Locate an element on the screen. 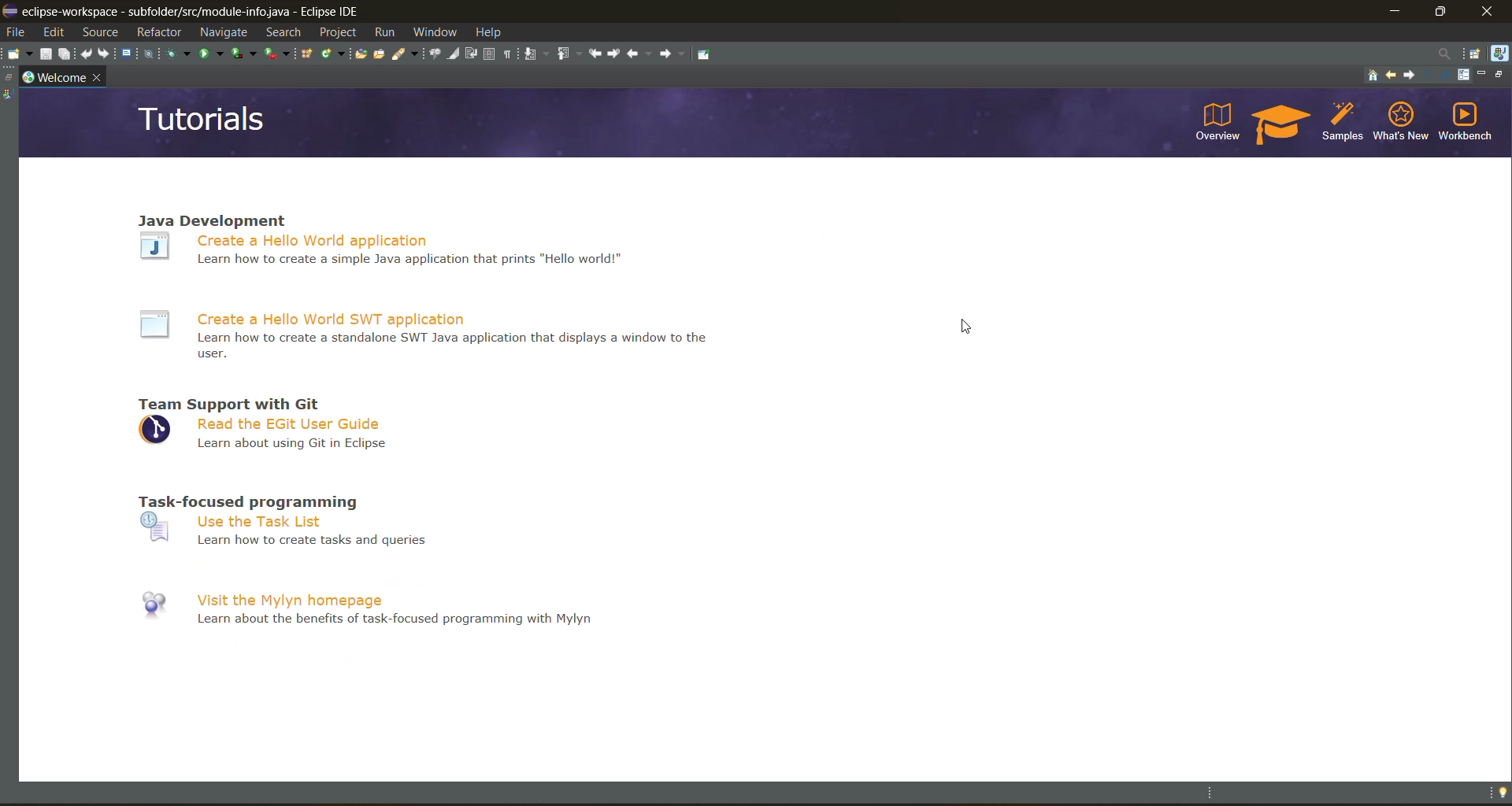 This screenshot has width=1512, height=806. forward is located at coordinates (676, 54).